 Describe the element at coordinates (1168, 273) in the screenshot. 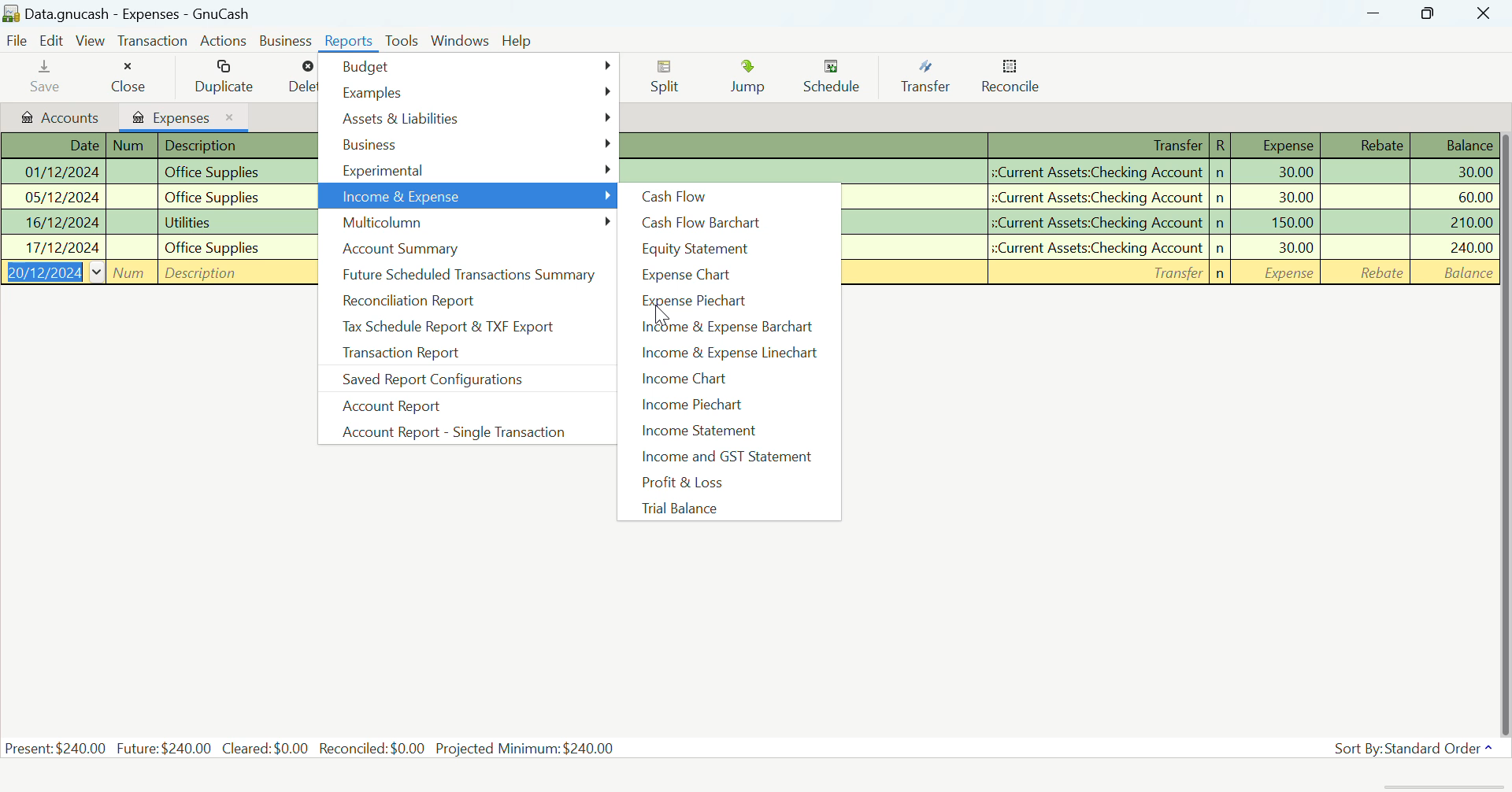

I see `New Transaction Field` at that location.